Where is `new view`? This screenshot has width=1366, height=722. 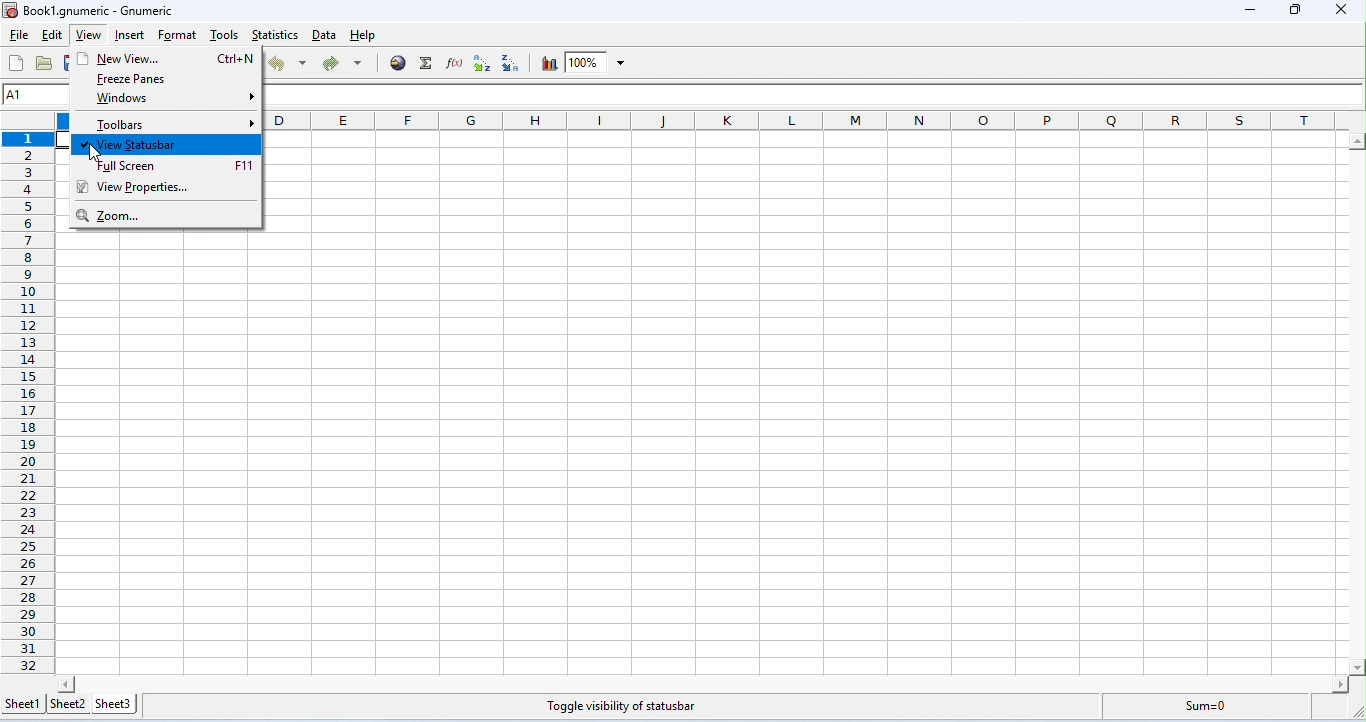
new view is located at coordinates (166, 58).